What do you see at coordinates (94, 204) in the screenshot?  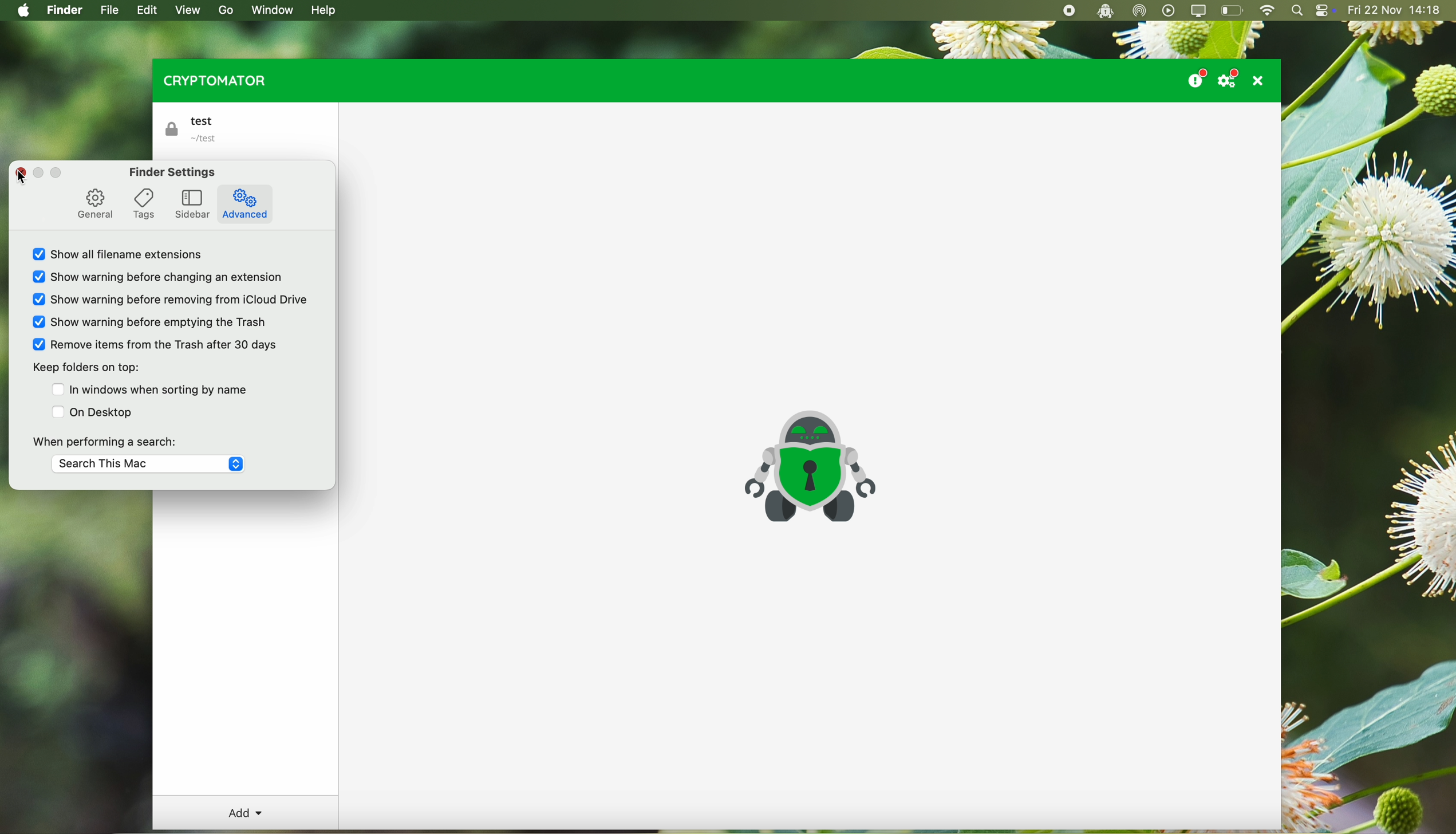 I see `general` at bounding box center [94, 204].